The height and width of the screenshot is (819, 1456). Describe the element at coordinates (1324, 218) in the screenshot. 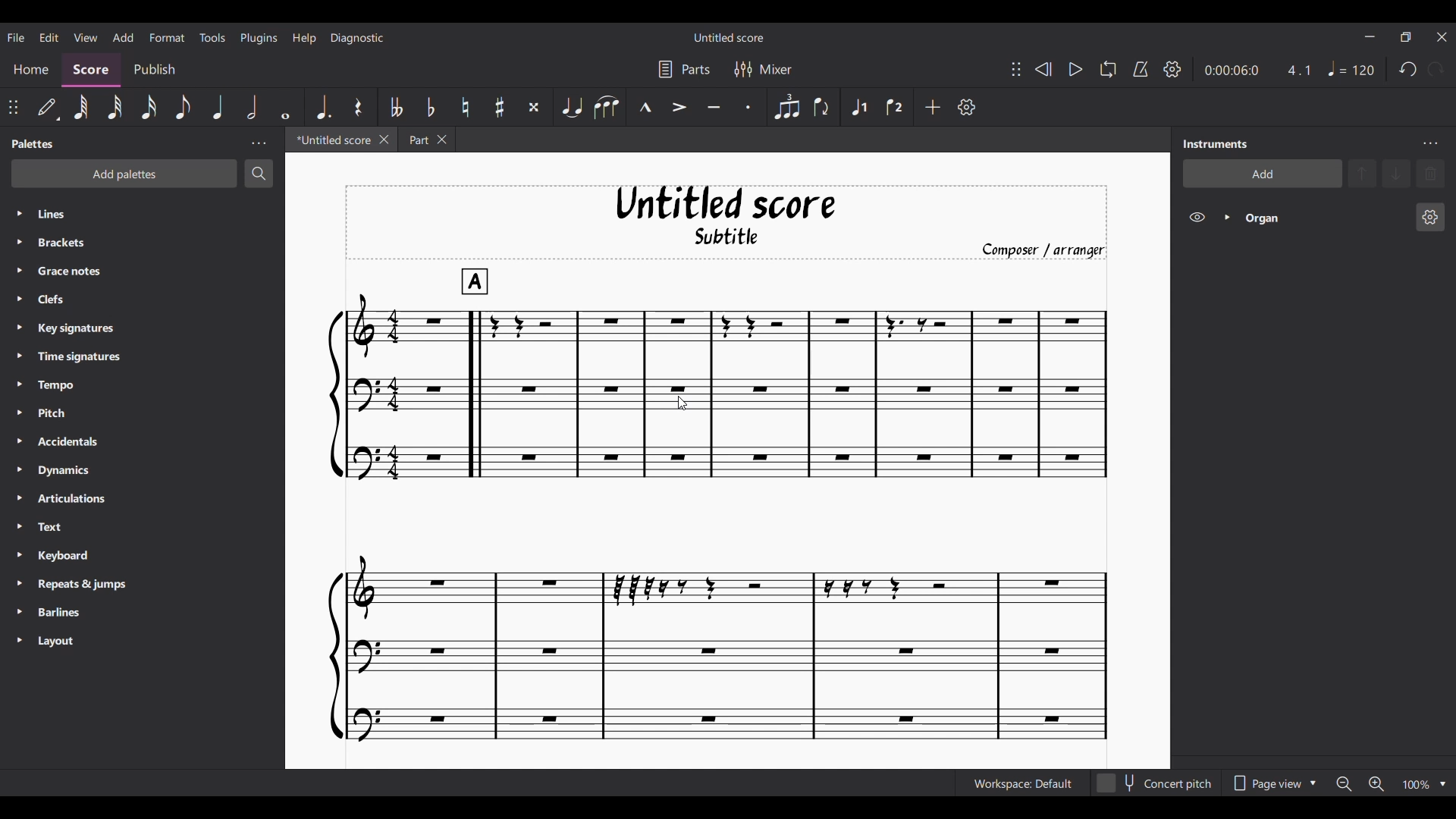

I see `Organ, current instrument` at that location.